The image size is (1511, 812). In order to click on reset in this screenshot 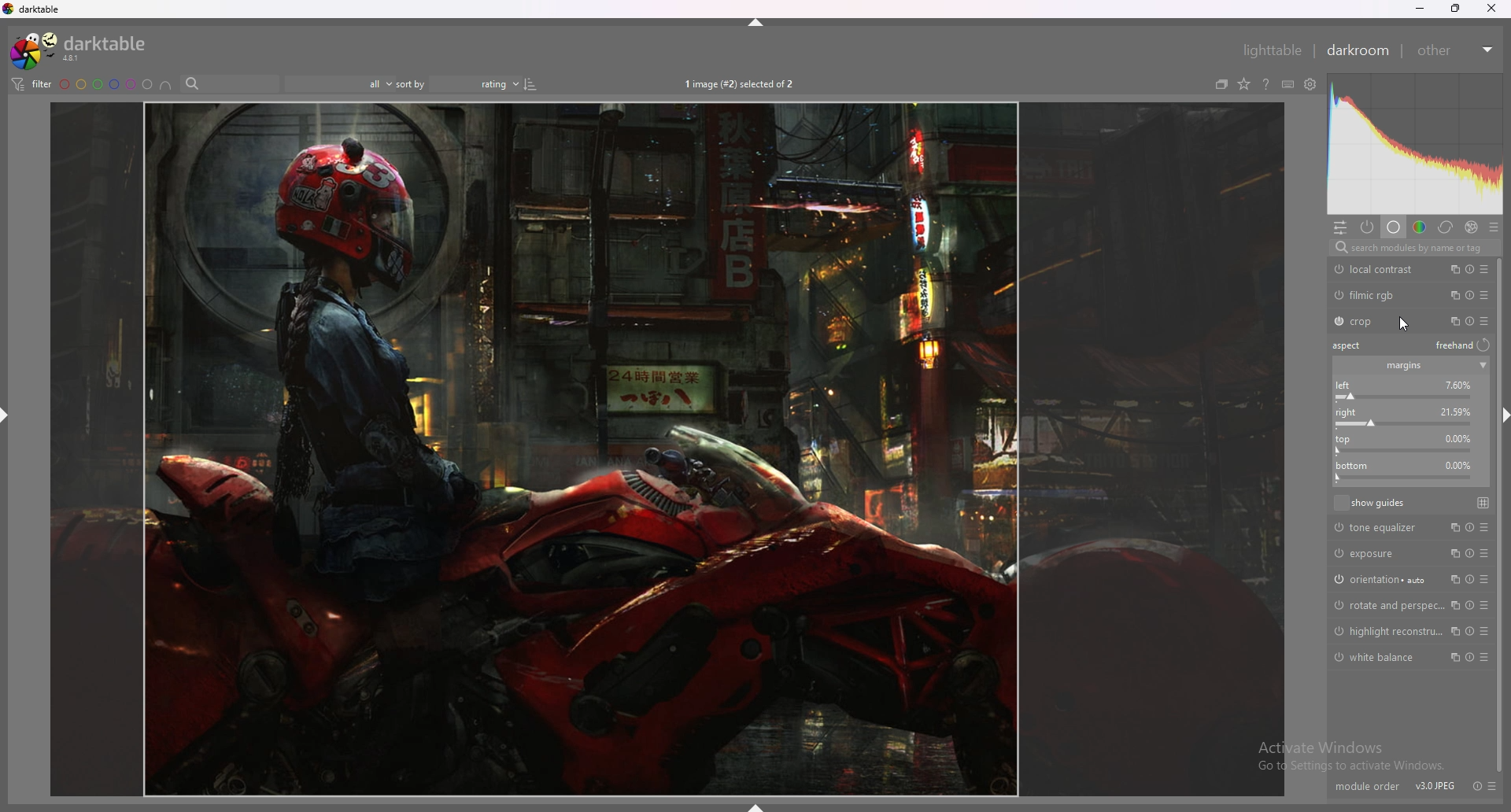, I will do `click(1469, 658)`.